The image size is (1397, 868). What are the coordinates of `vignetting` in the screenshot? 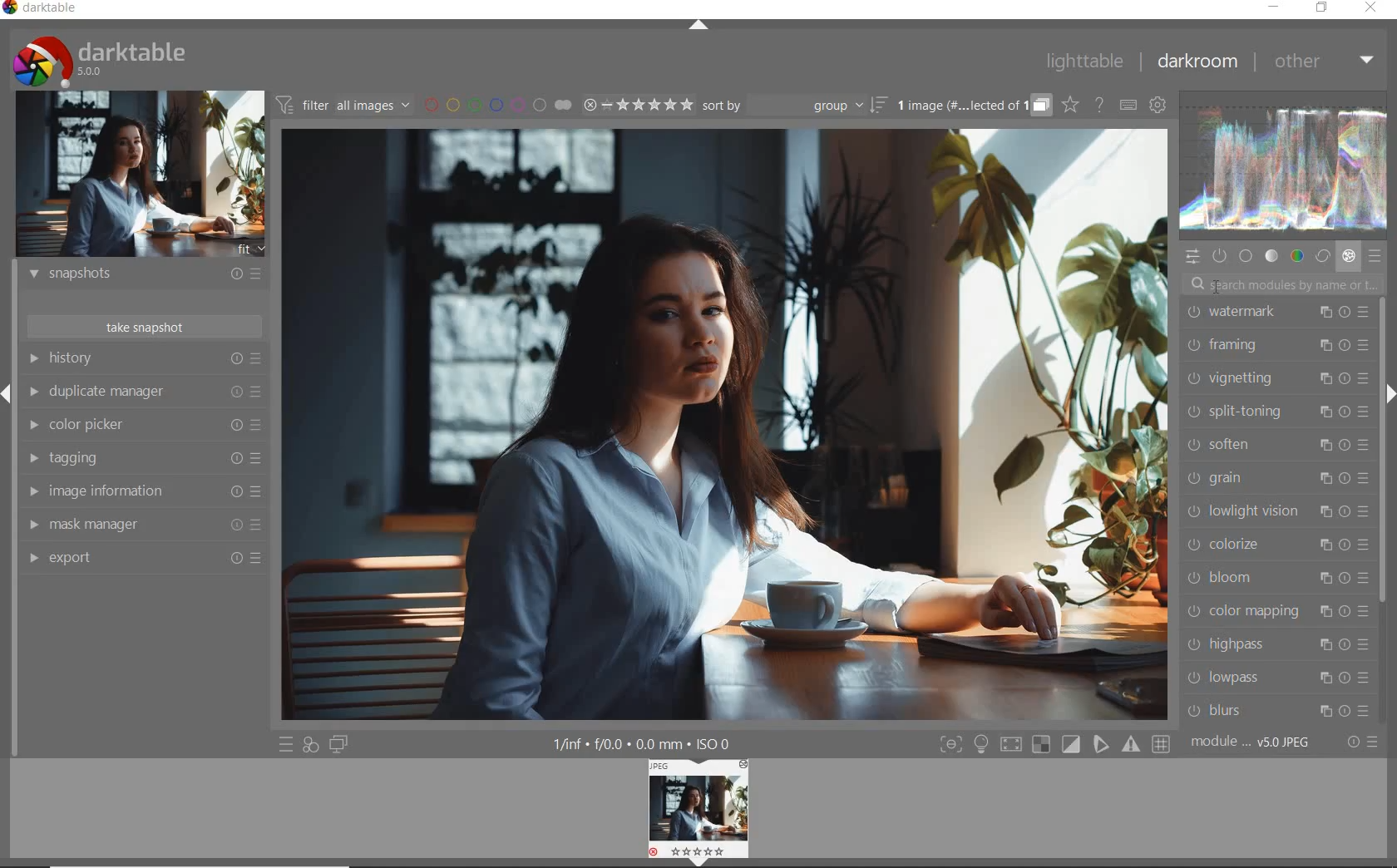 It's located at (1277, 380).